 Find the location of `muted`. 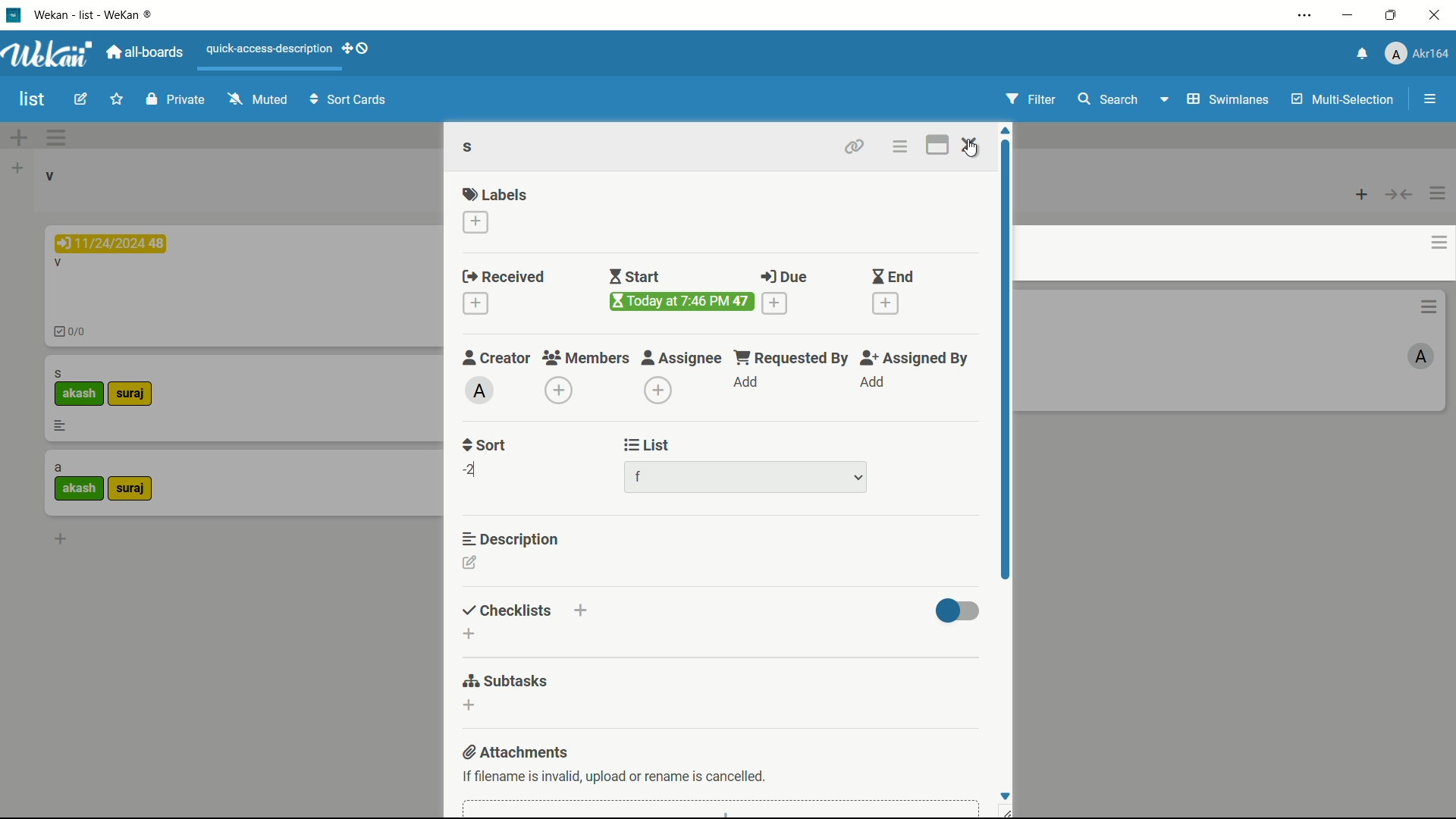

muted is located at coordinates (260, 98).